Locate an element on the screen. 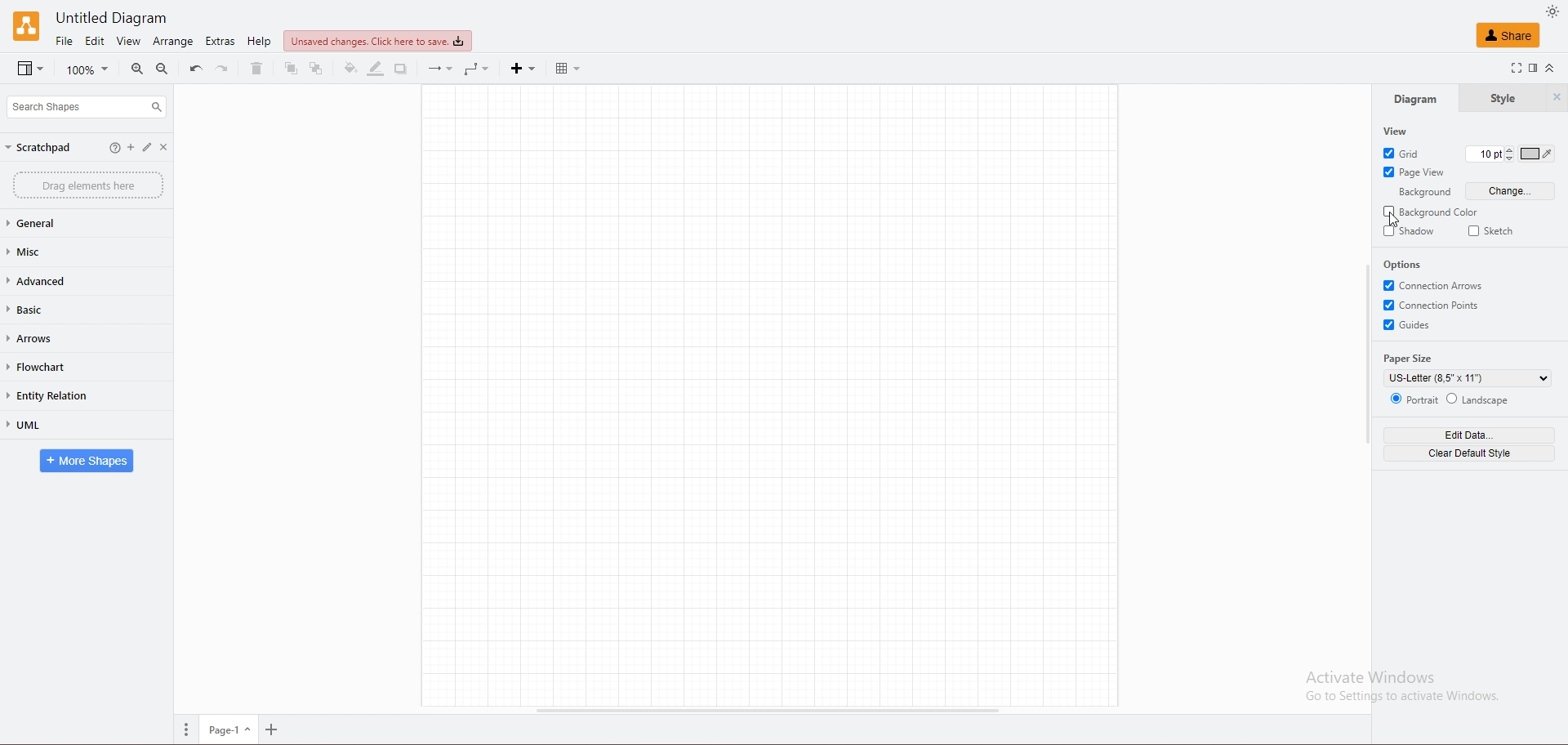 This screenshot has height=745, width=1568. options is located at coordinates (1404, 264).